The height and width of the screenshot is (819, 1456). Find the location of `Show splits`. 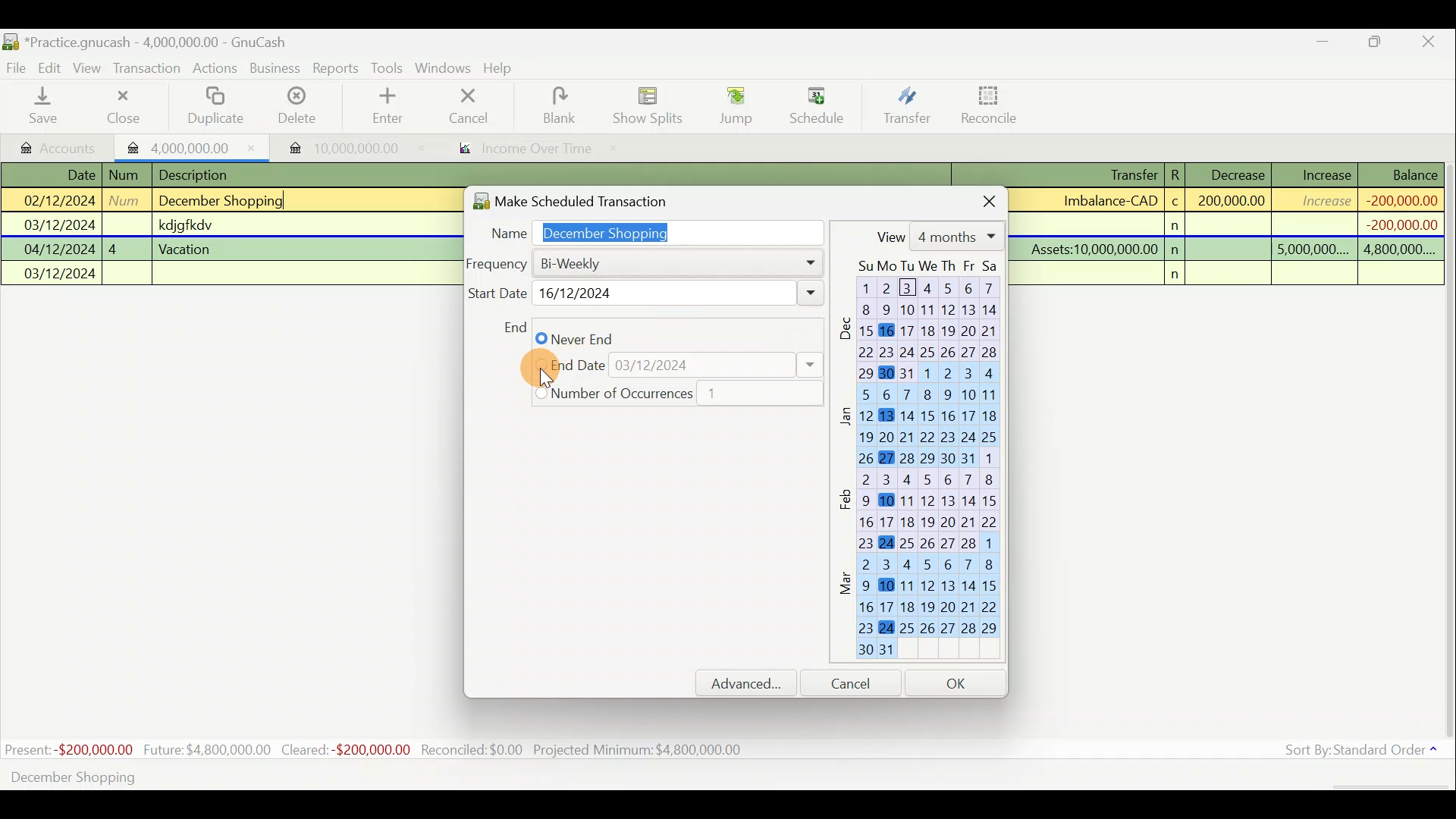

Show splits is located at coordinates (652, 105).